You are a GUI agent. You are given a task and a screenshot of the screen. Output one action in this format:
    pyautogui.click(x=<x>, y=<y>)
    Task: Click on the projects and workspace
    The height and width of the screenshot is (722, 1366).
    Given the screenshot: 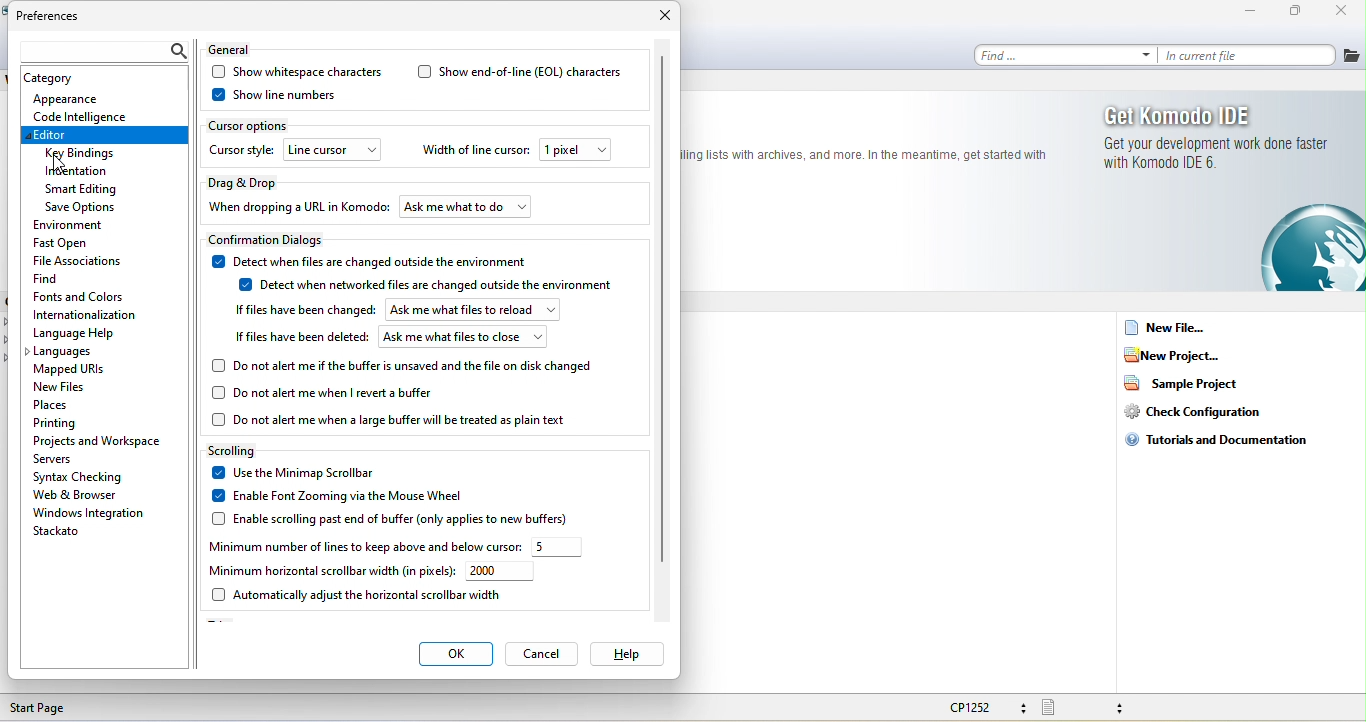 What is the action you would take?
    pyautogui.click(x=98, y=439)
    